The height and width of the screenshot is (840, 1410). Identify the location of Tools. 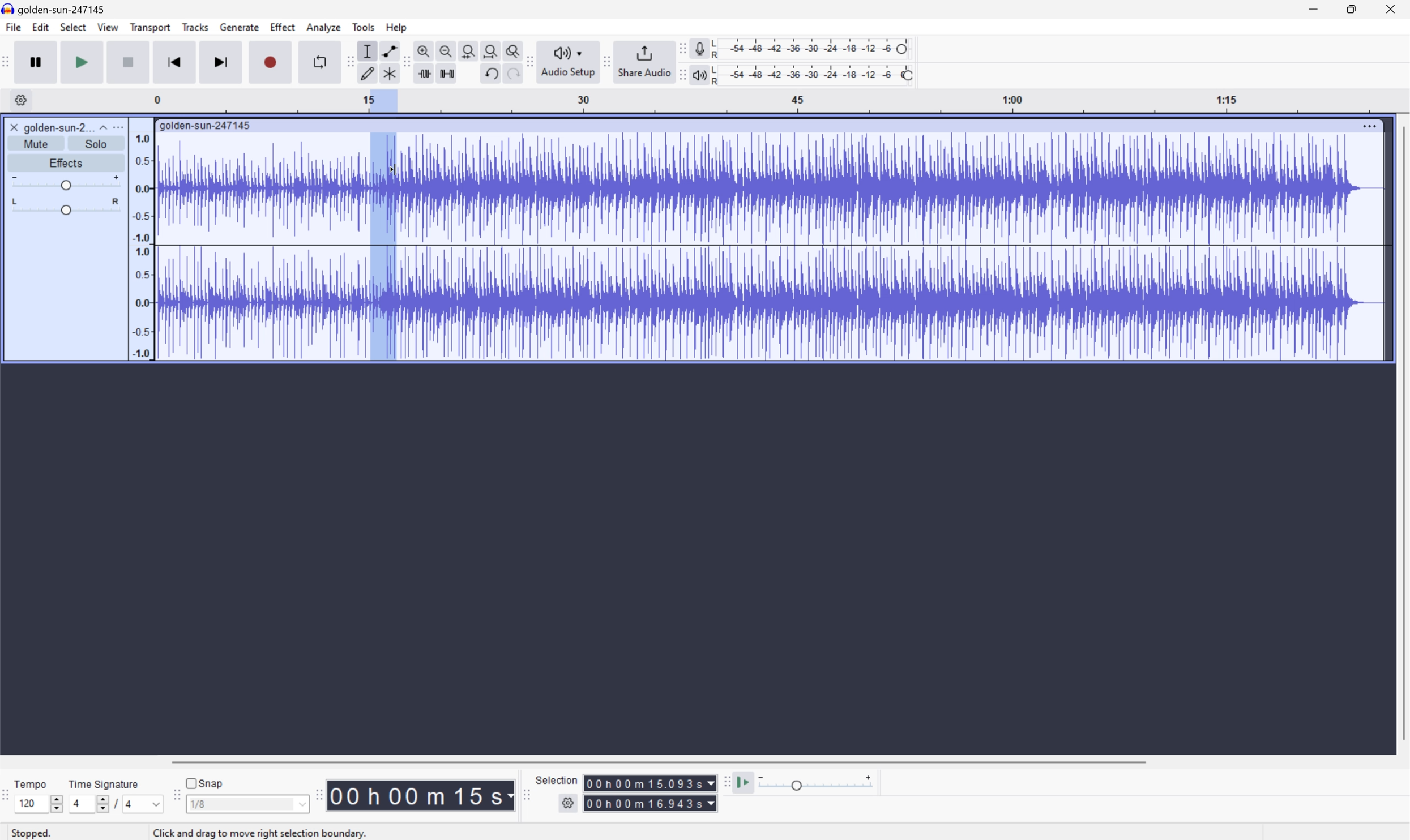
(364, 27).